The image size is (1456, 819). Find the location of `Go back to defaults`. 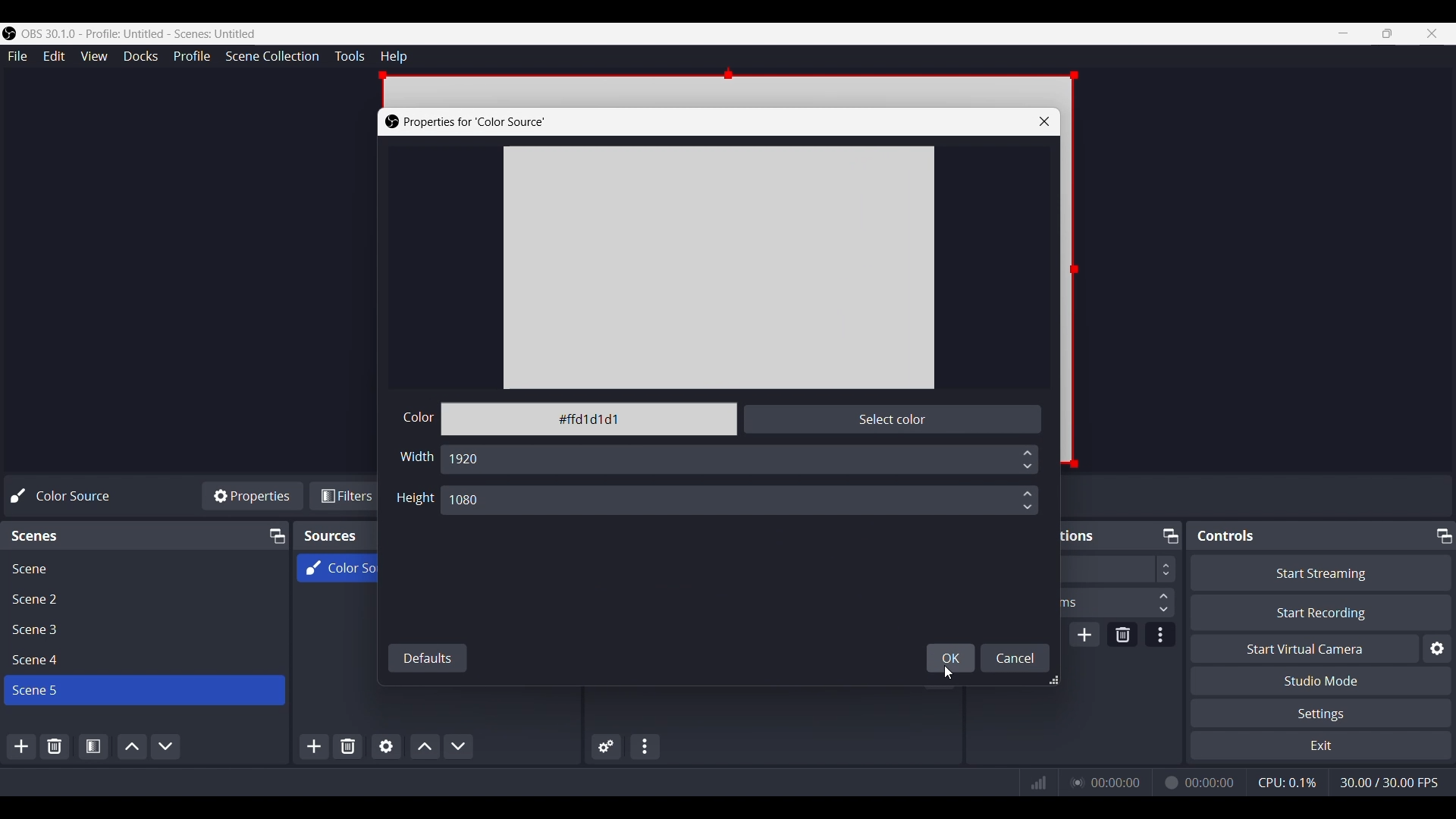

Go back to defaults is located at coordinates (426, 659).